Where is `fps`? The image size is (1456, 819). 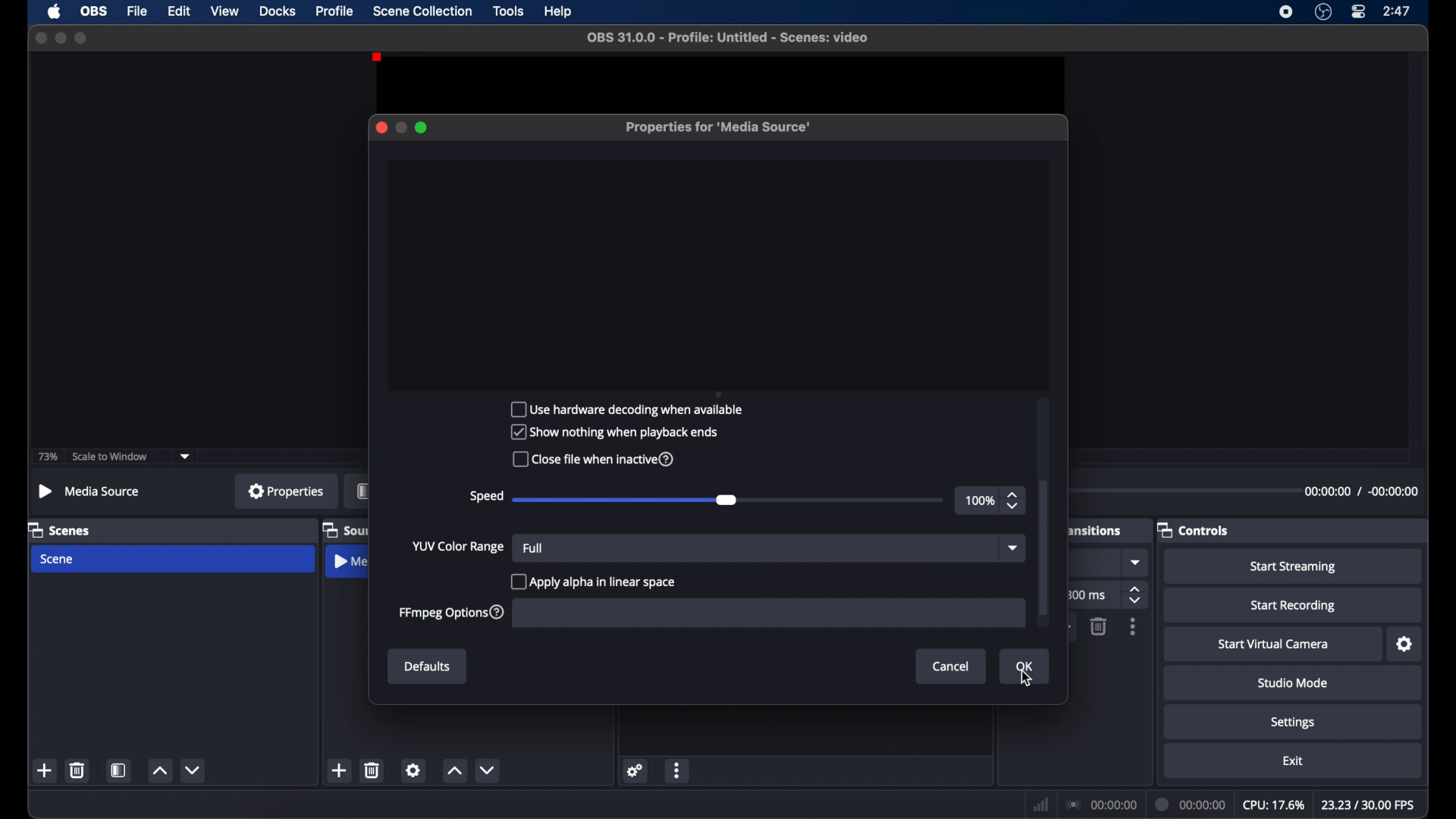 fps is located at coordinates (1368, 804).